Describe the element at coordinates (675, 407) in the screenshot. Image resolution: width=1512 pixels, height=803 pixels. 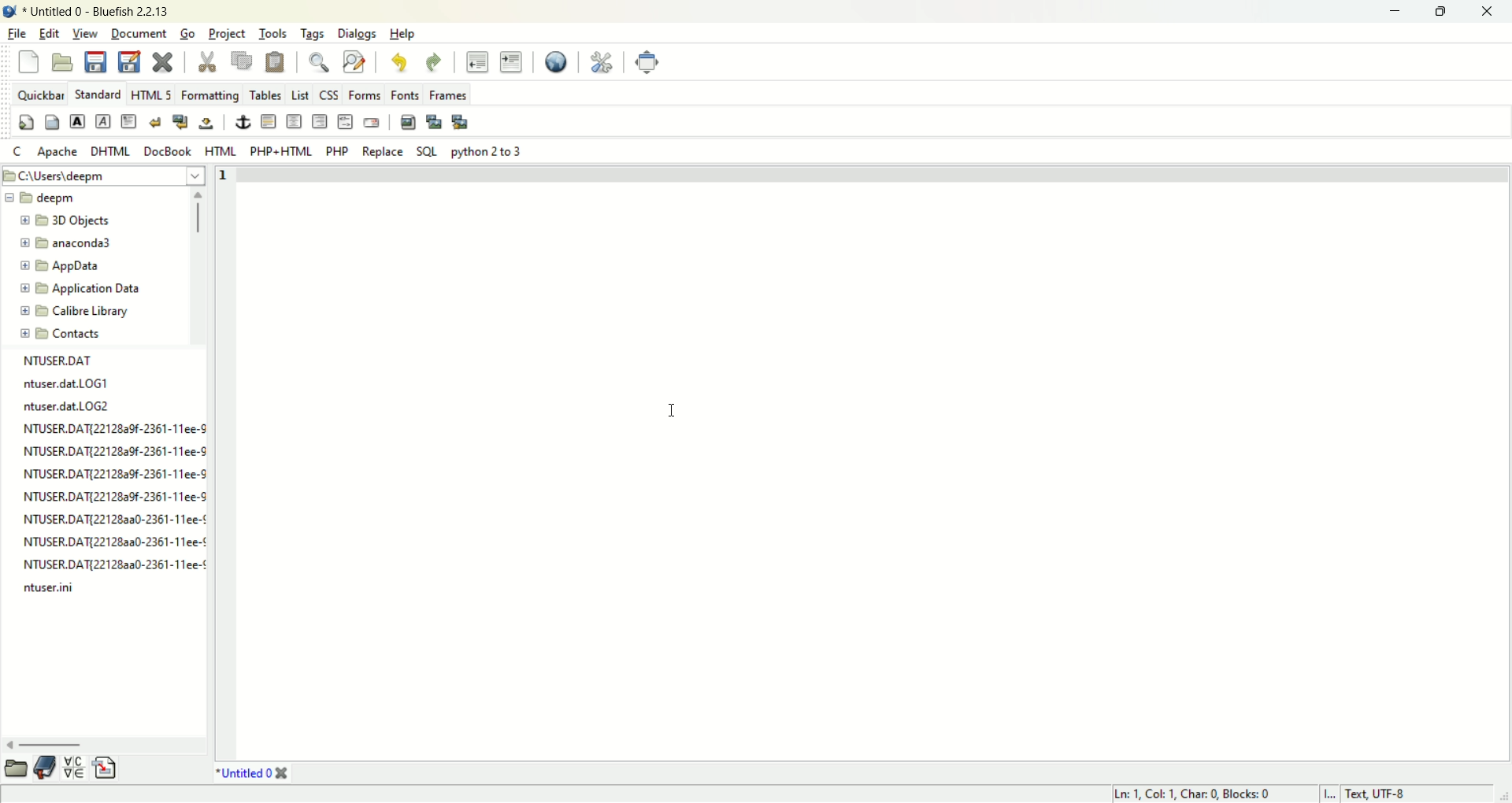
I see `cursor` at that location.